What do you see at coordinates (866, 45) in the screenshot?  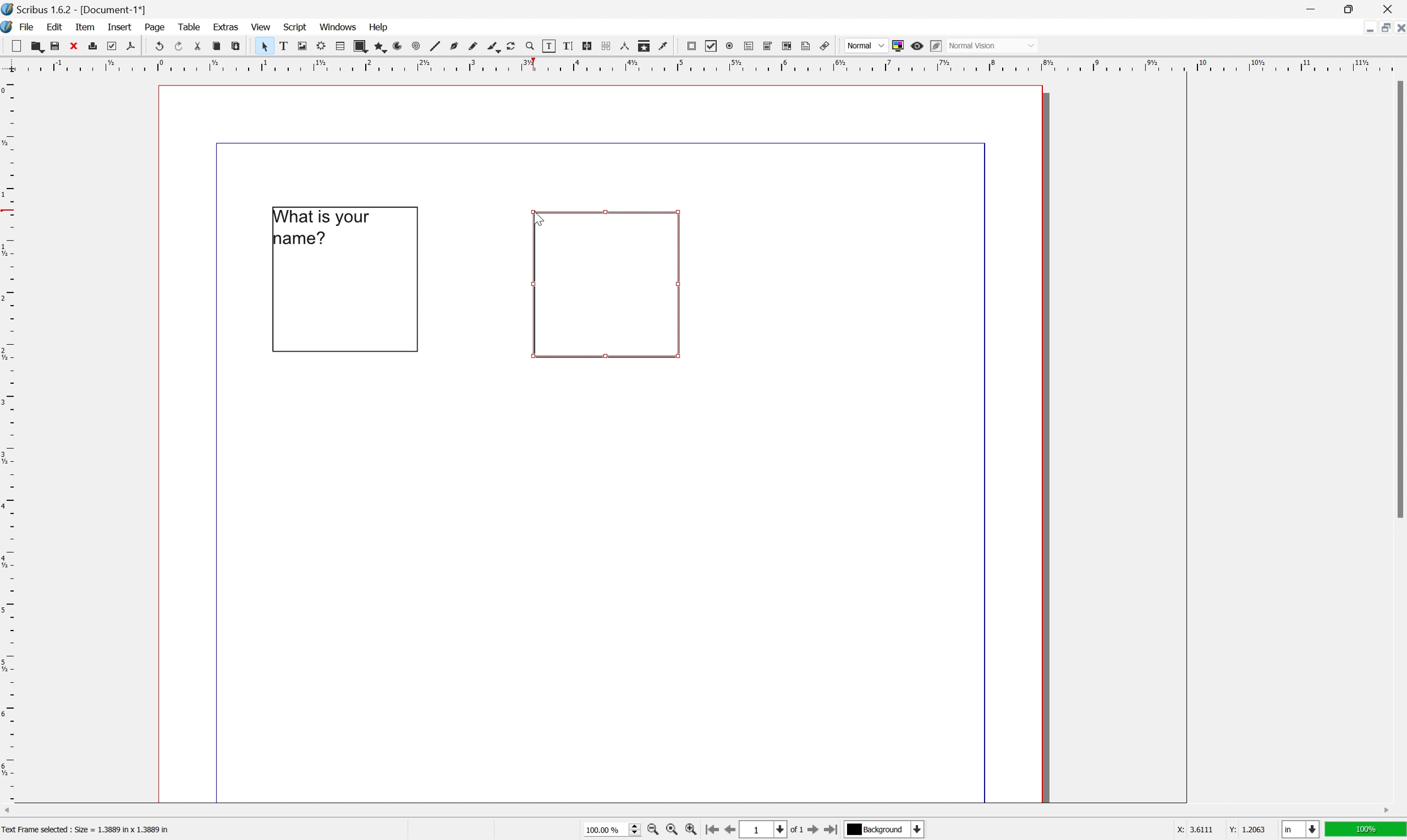 I see `normal` at bounding box center [866, 45].